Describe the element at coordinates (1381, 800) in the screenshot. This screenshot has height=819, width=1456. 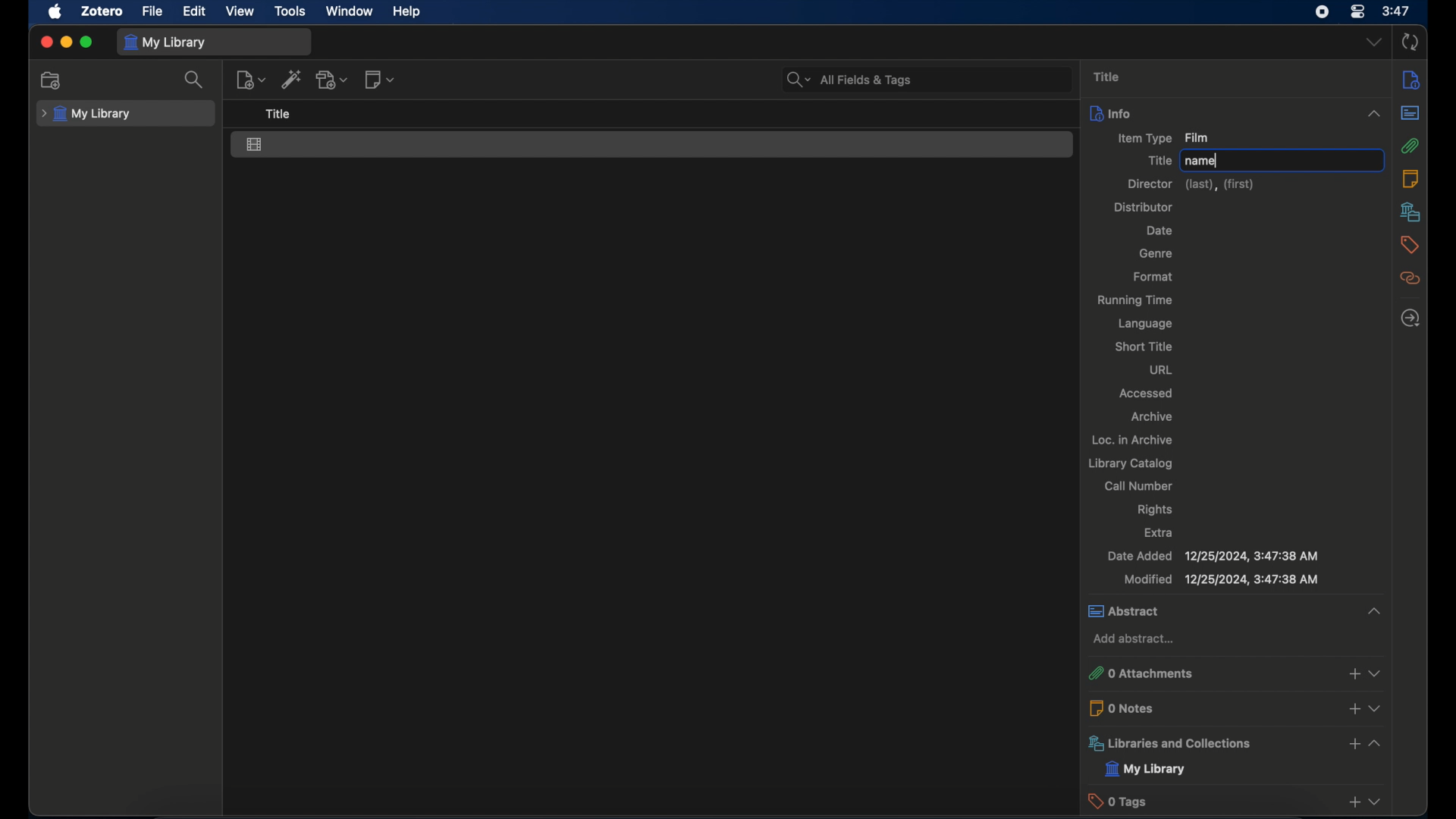
I see `dropdown` at that location.